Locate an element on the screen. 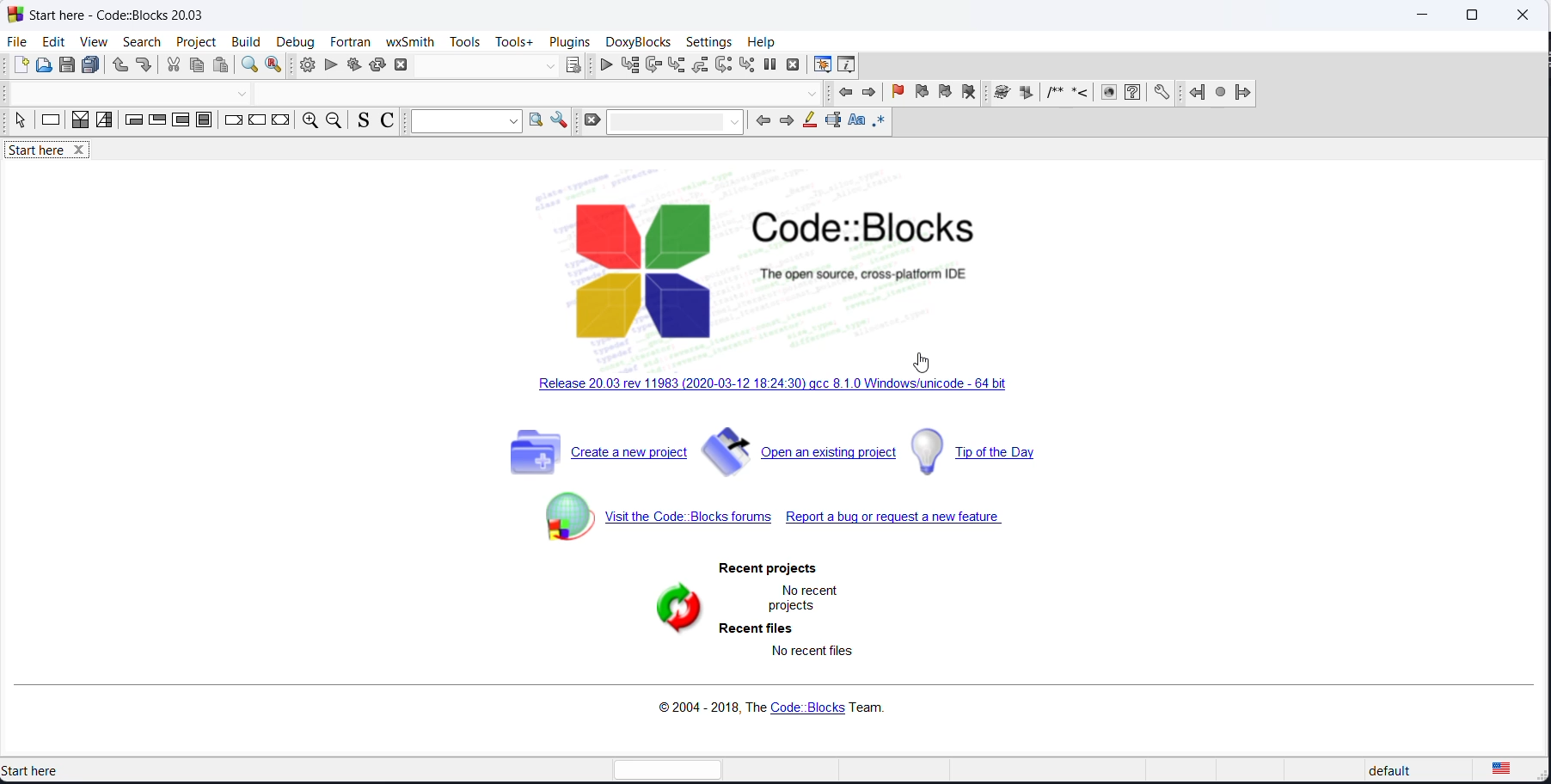 Image resolution: width=1551 pixels, height=784 pixels. maximize is located at coordinates (1470, 15).